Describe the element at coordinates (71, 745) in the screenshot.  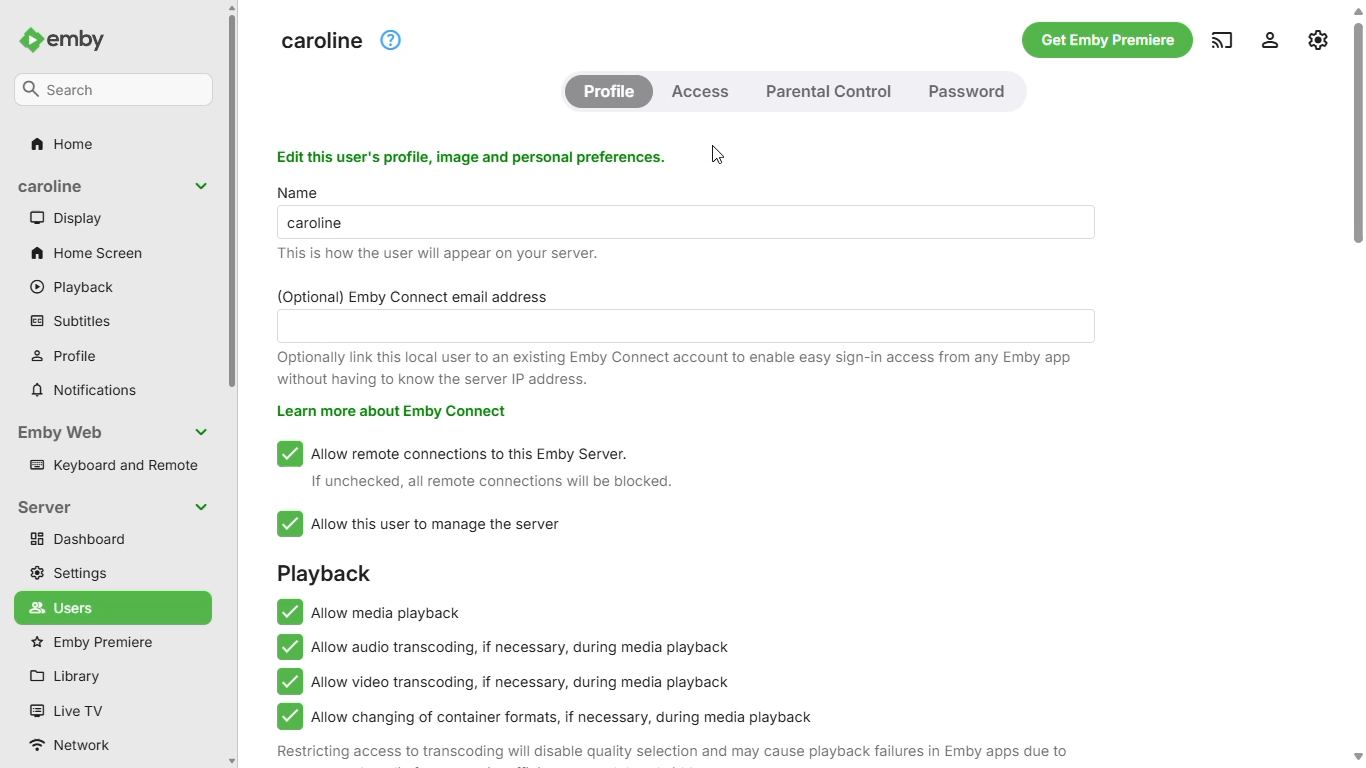
I see `network` at that location.